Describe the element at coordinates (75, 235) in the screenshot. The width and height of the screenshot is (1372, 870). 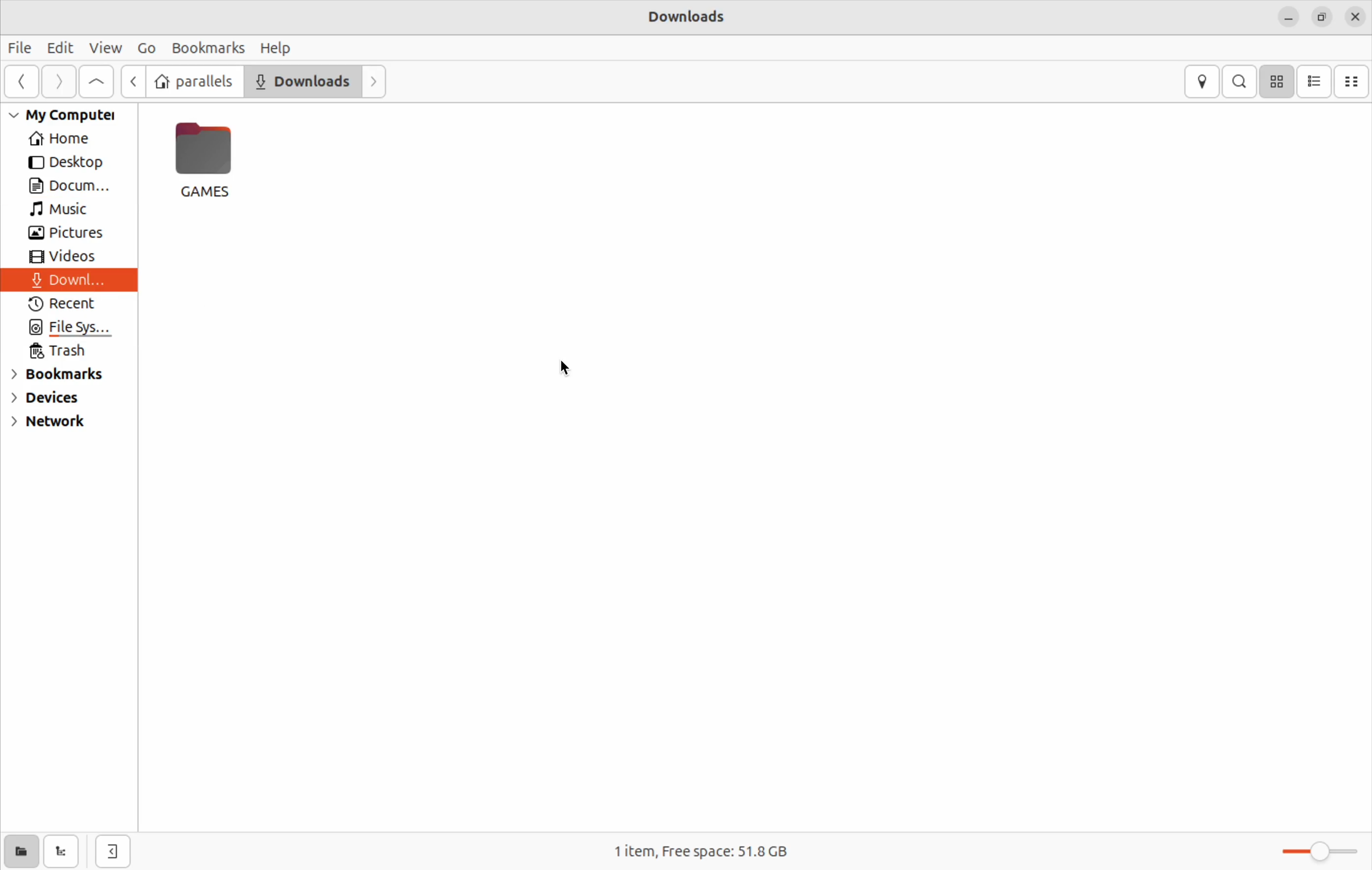
I see `pictures` at that location.